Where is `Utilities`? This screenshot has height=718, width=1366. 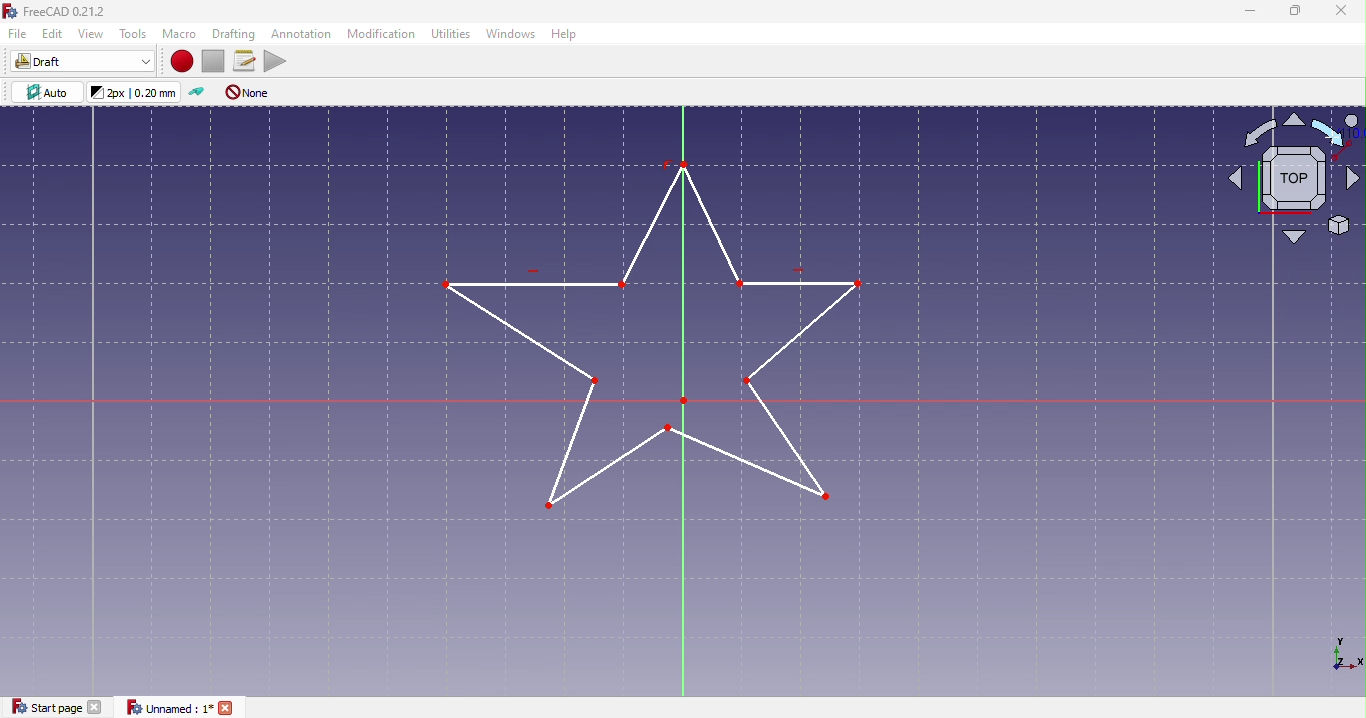 Utilities is located at coordinates (451, 33).